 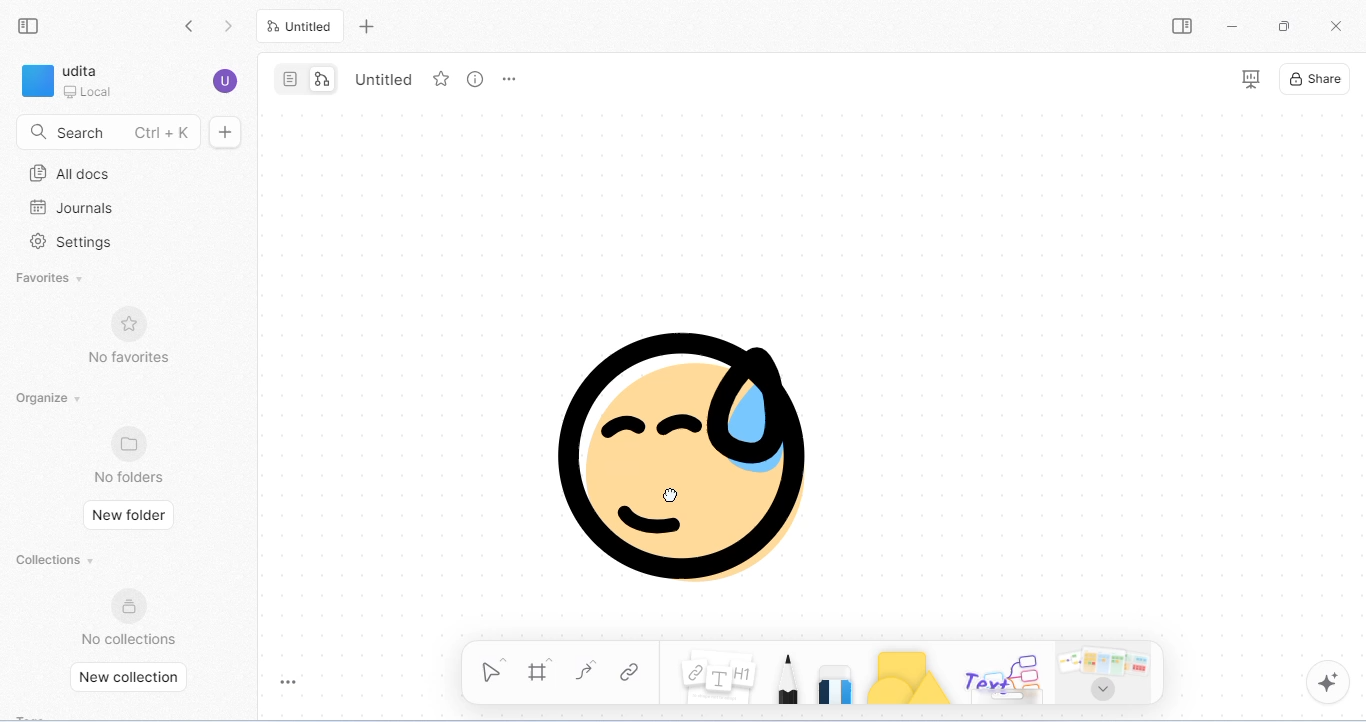 What do you see at coordinates (71, 208) in the screenshot?
I see `journals` at bounding box center [71, 208].